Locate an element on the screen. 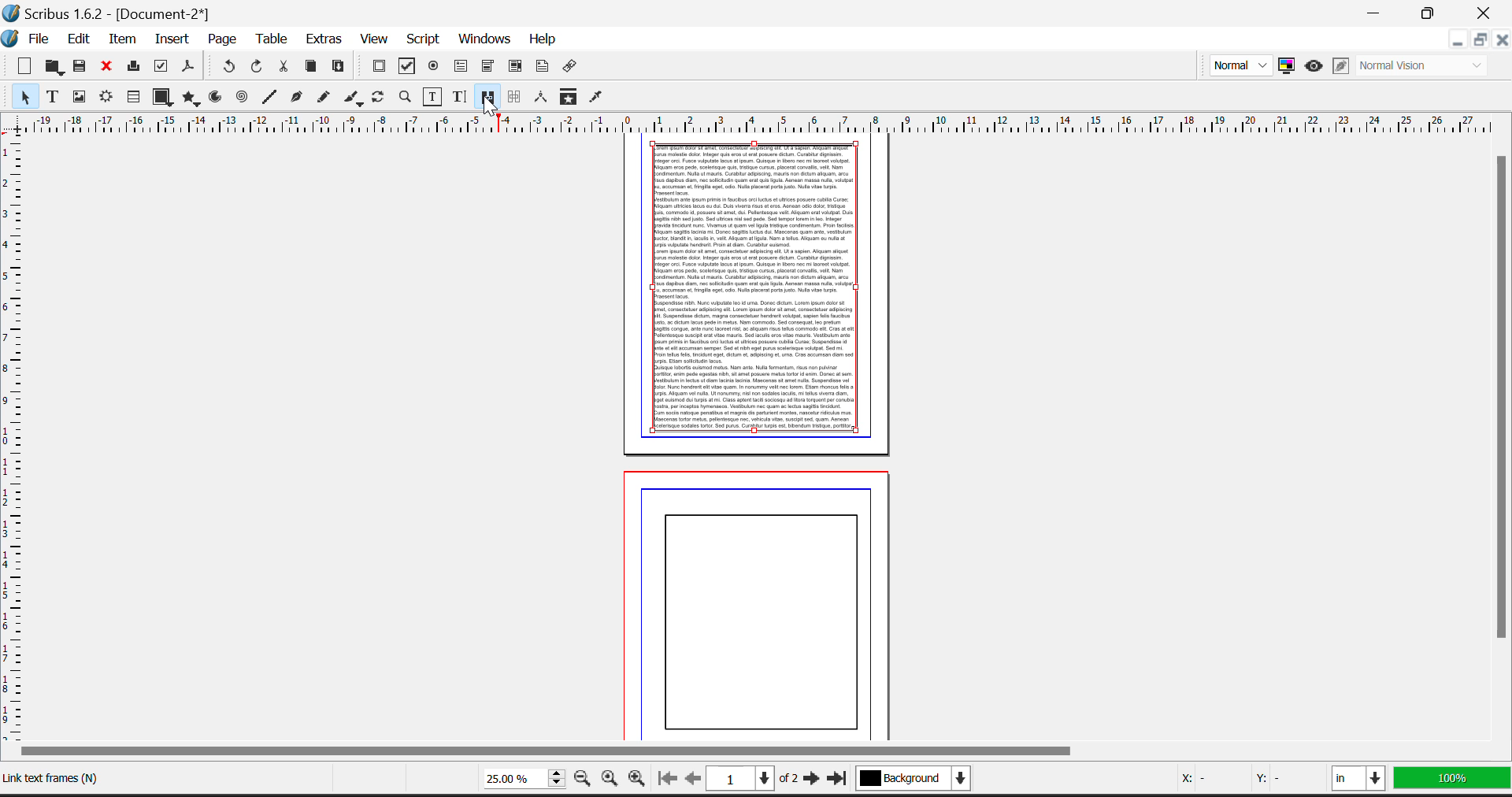 The height and width of the screenshot is (797, 1512). PDF Checkbox is located at coordinates (379, 67).